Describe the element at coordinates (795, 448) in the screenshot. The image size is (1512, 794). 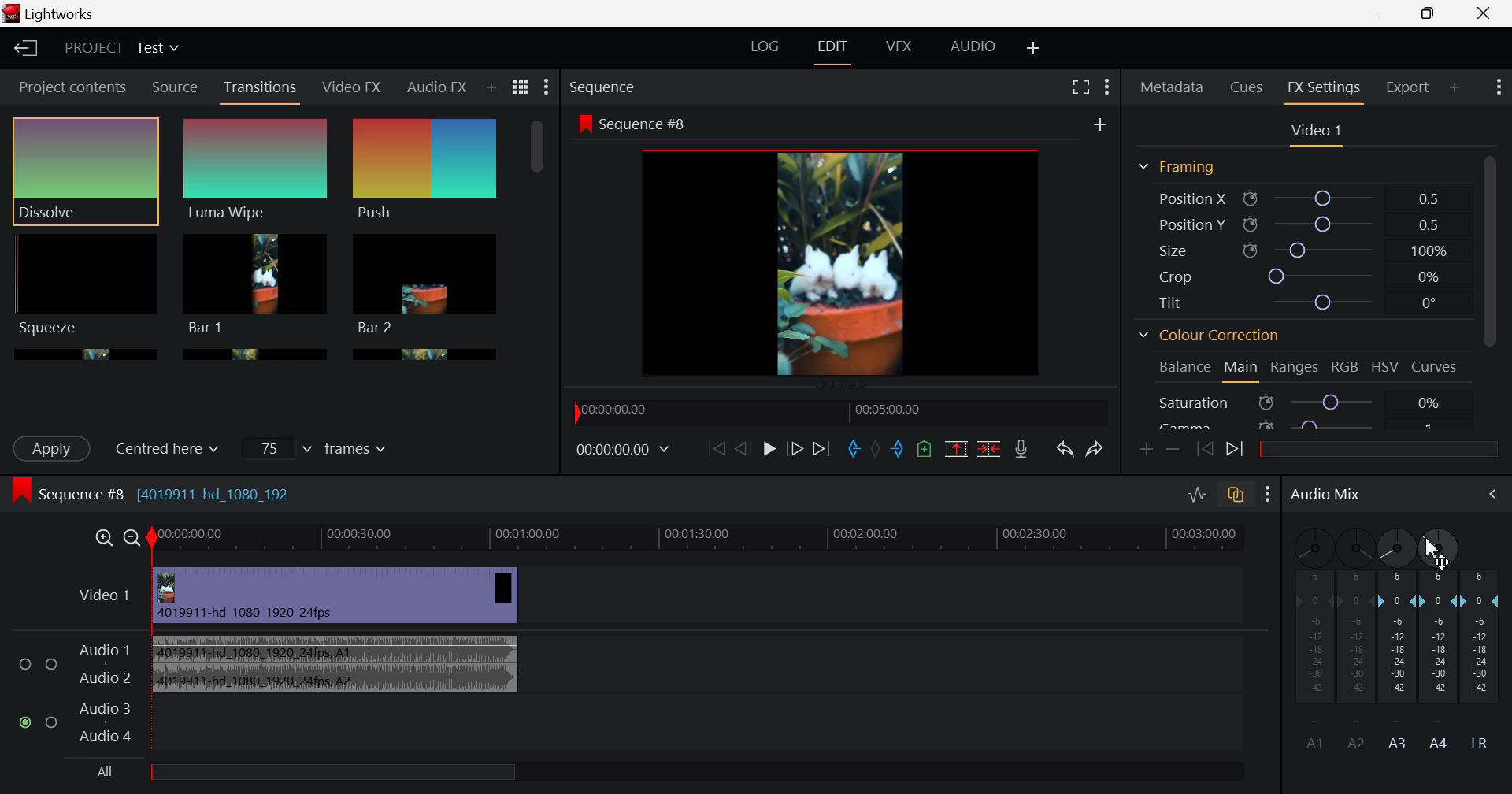
I see `Go Forward` at that location.